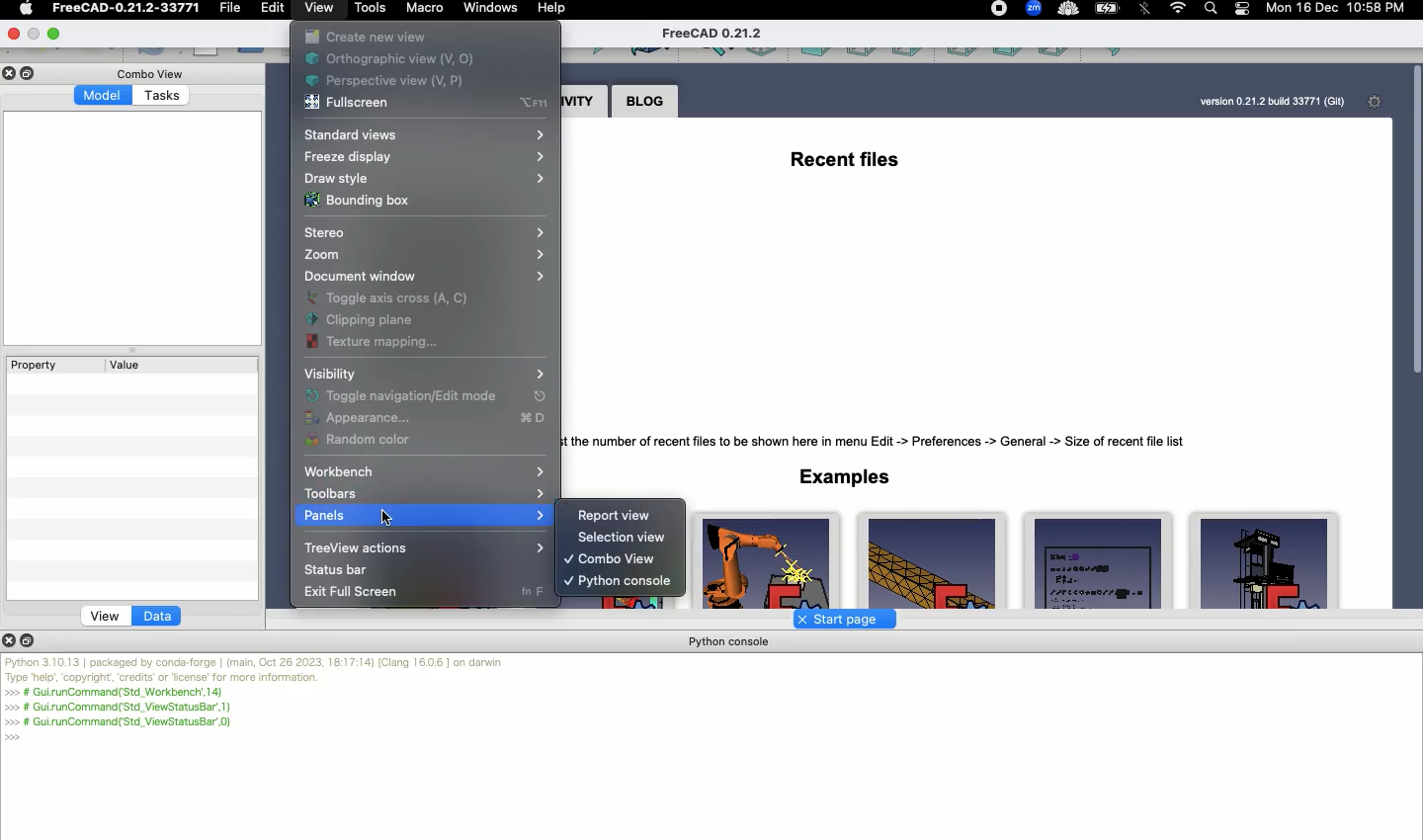  Describe the element at coordinates (1380, 102) in the screenshot. I see `Settings` at that location.